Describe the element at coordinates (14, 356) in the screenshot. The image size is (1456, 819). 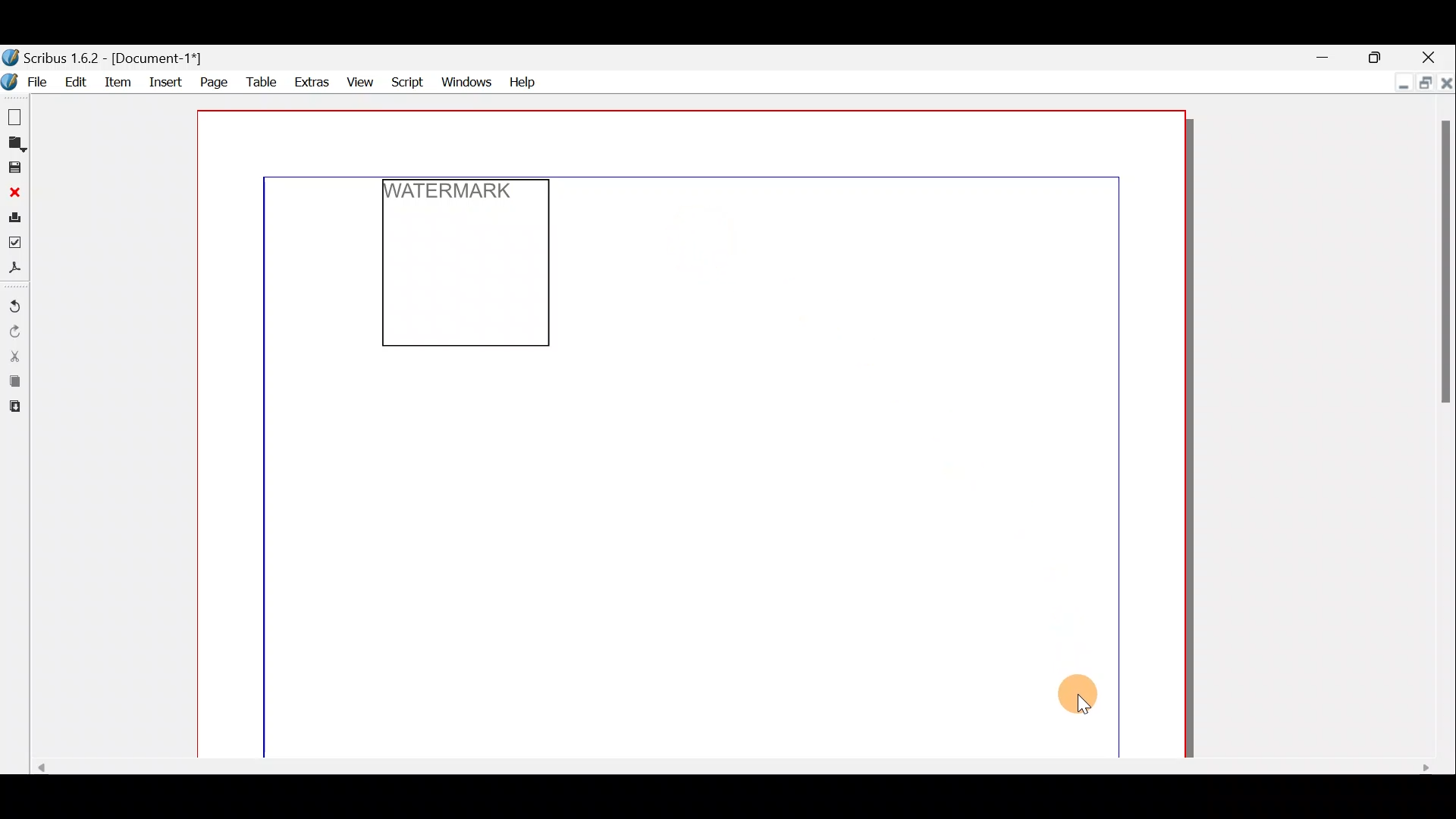
I see `Cut` at that location.